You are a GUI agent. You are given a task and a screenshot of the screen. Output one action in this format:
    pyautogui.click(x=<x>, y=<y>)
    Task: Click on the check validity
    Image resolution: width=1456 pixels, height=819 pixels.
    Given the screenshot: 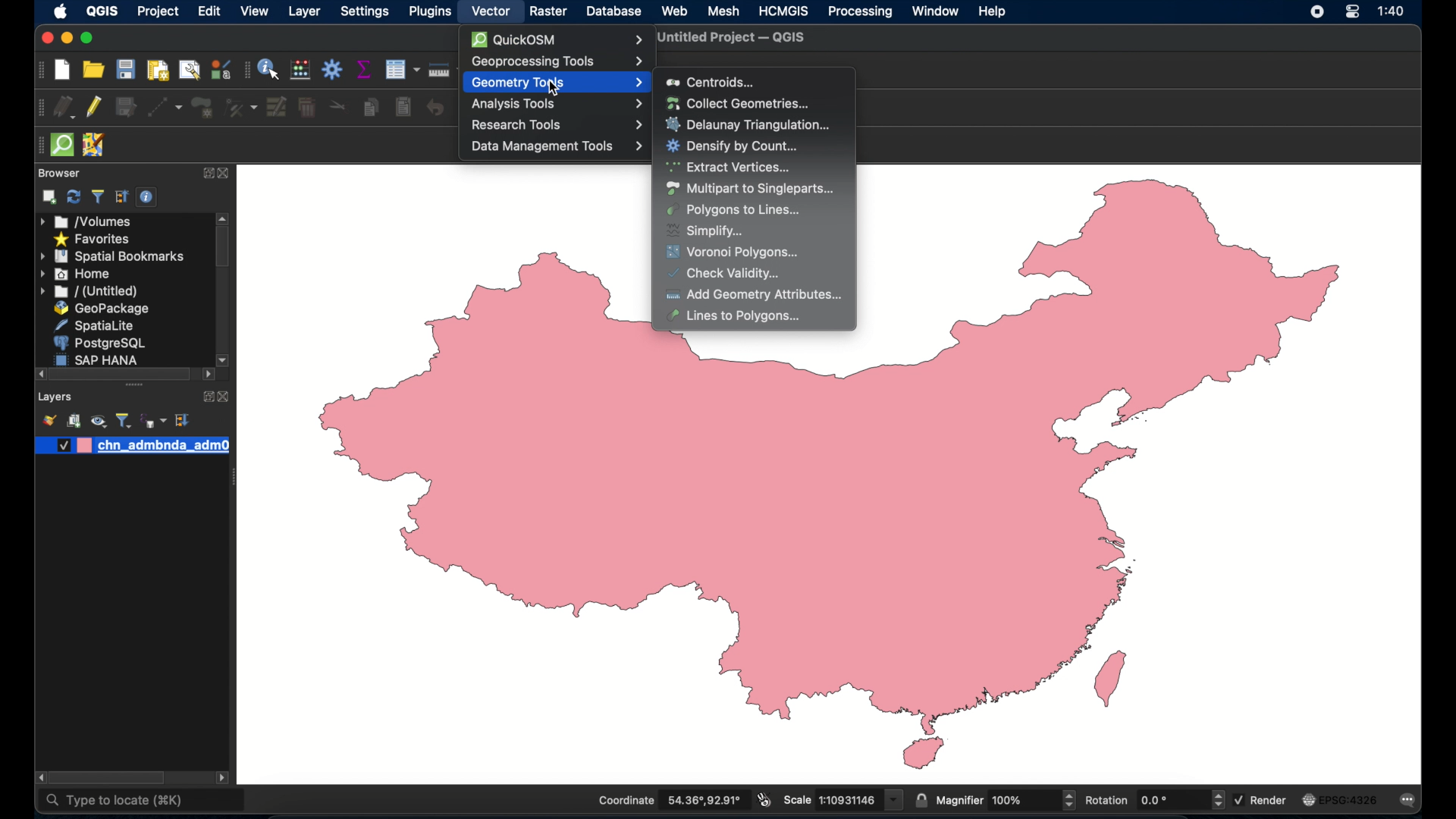 What is the action you would take?
    pyautogui.click(x=727, y=274)
    